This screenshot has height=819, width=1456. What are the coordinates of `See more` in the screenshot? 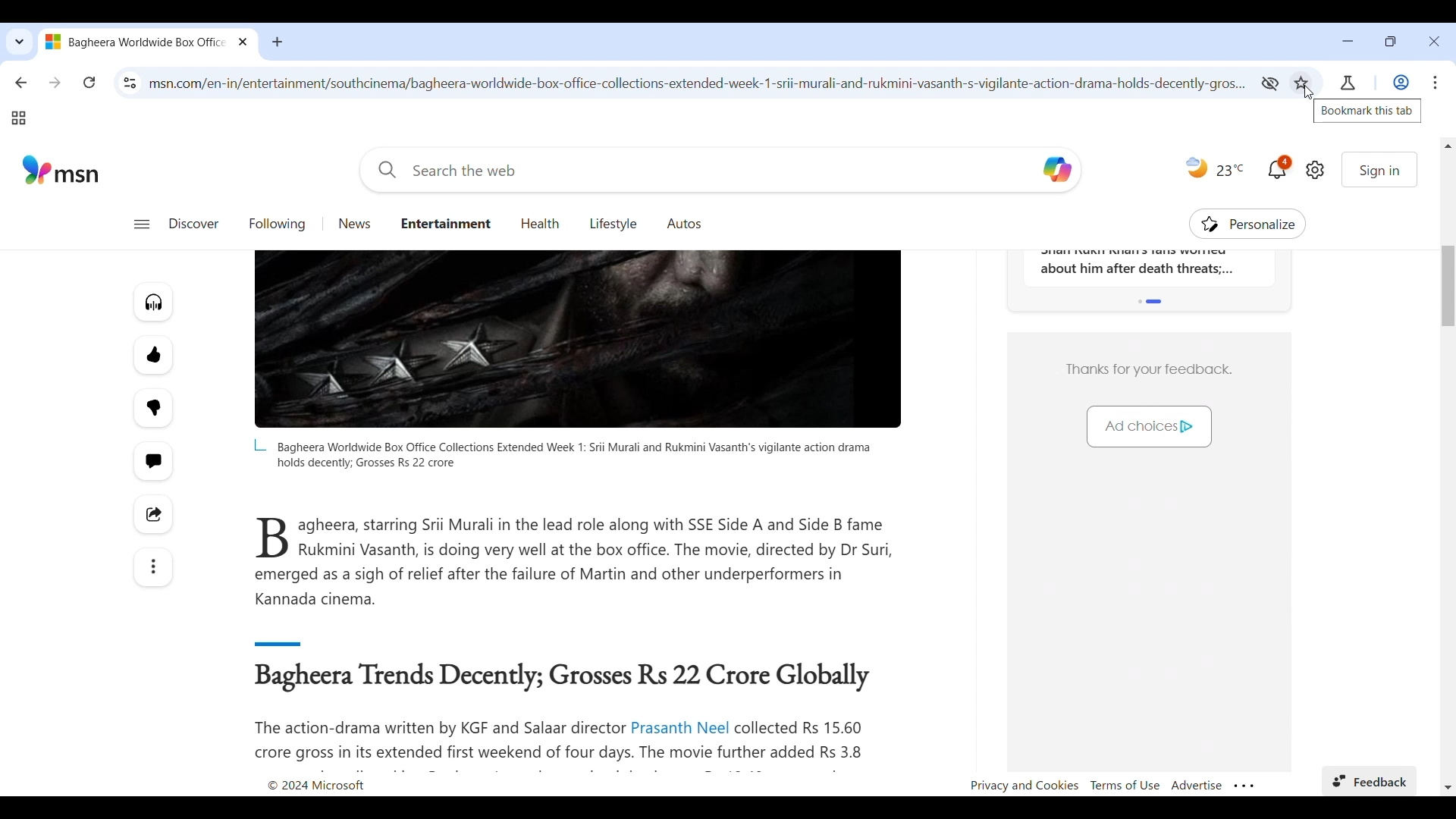 It's located at (152, 567).